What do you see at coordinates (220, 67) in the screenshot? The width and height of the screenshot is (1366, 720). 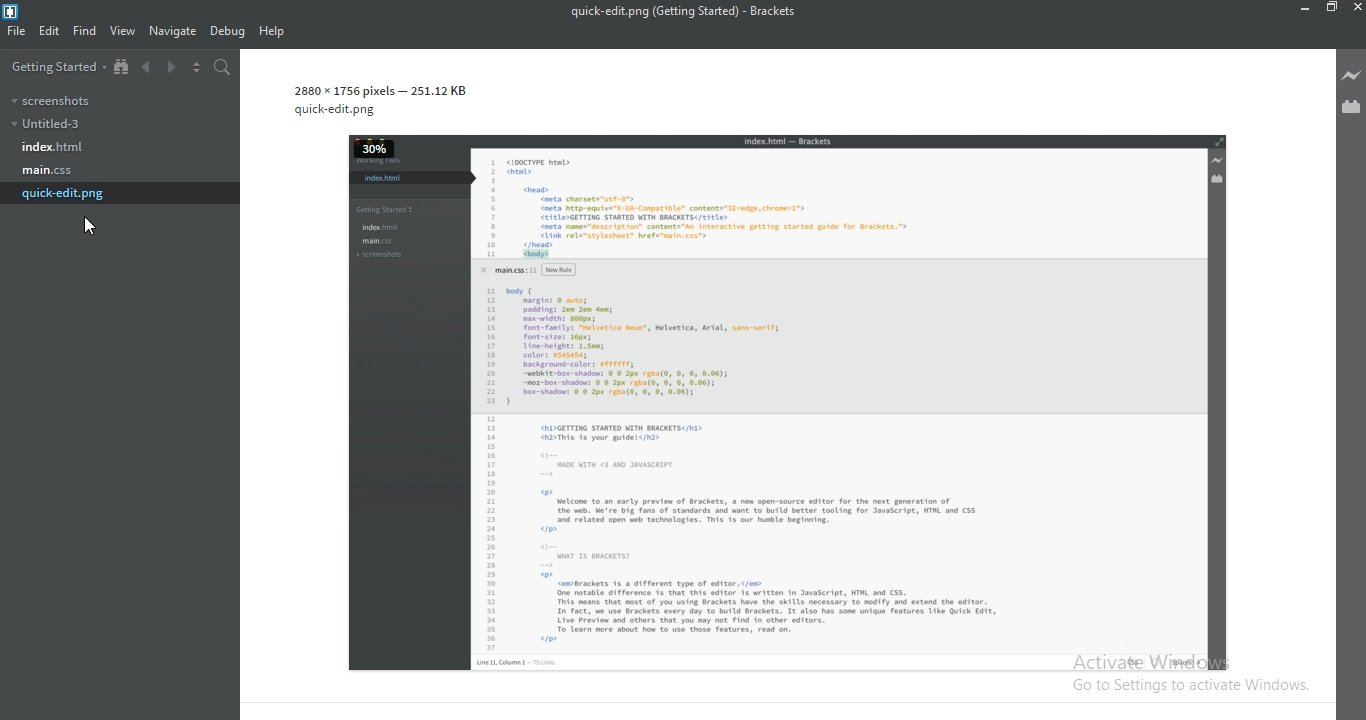 I see `search` at bounding box center [220, 67].